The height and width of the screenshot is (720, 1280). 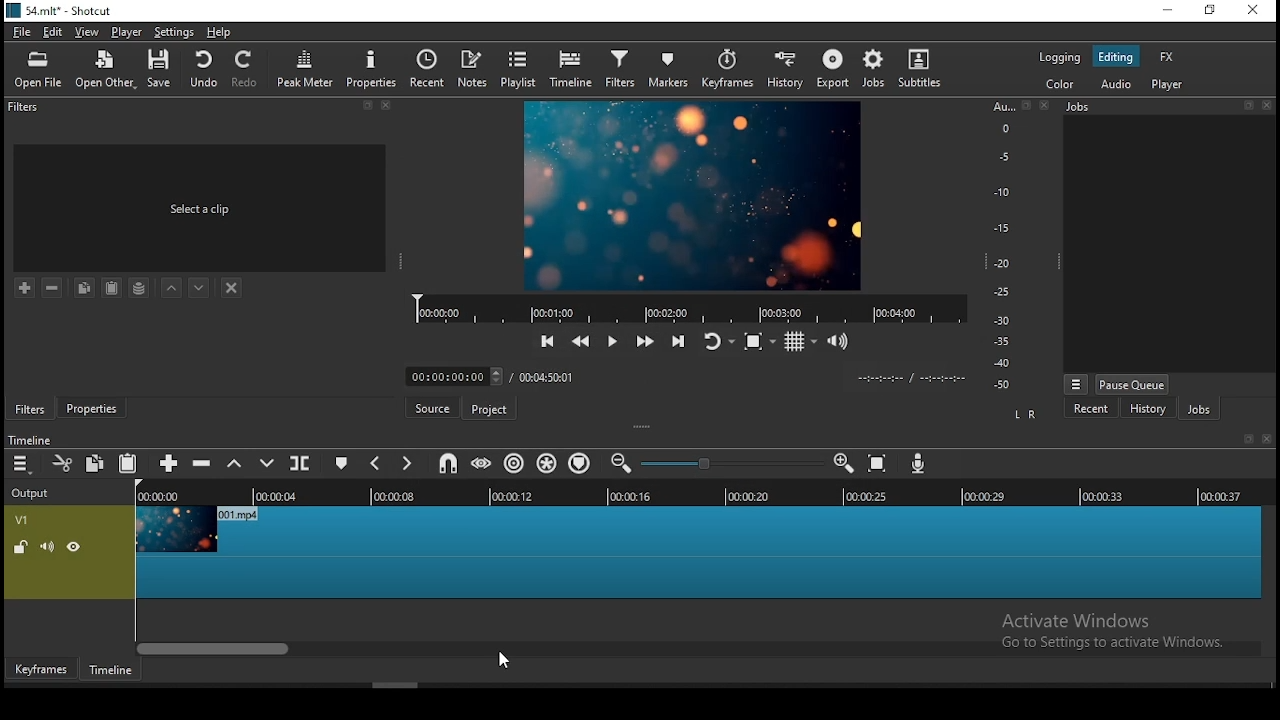 I want to click on 00:00:29, so click(x=987, y=496).